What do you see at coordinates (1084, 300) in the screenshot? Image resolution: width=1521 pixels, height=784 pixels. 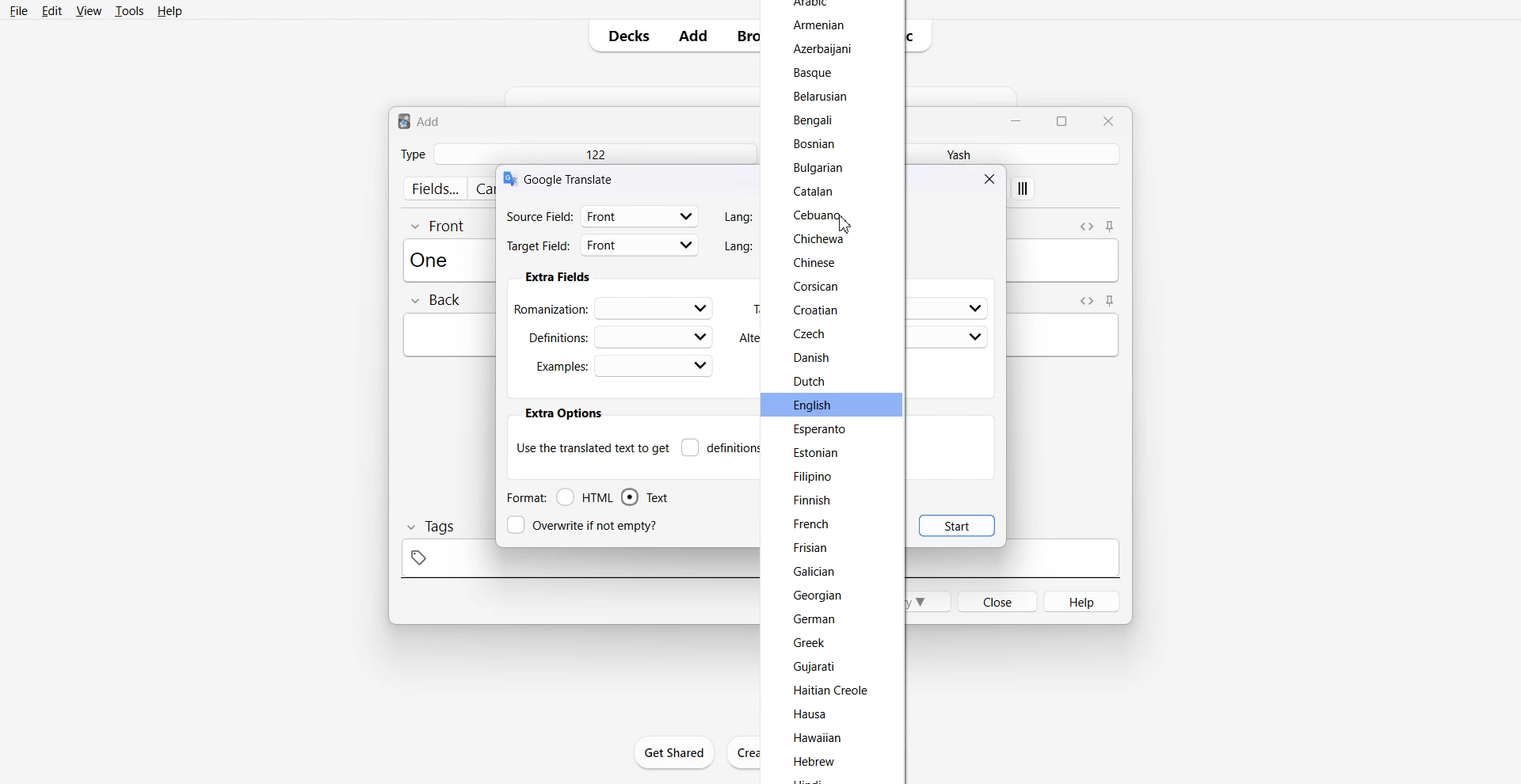 I see `Toggle HTML Editor` at bounding box center [1084, 300].